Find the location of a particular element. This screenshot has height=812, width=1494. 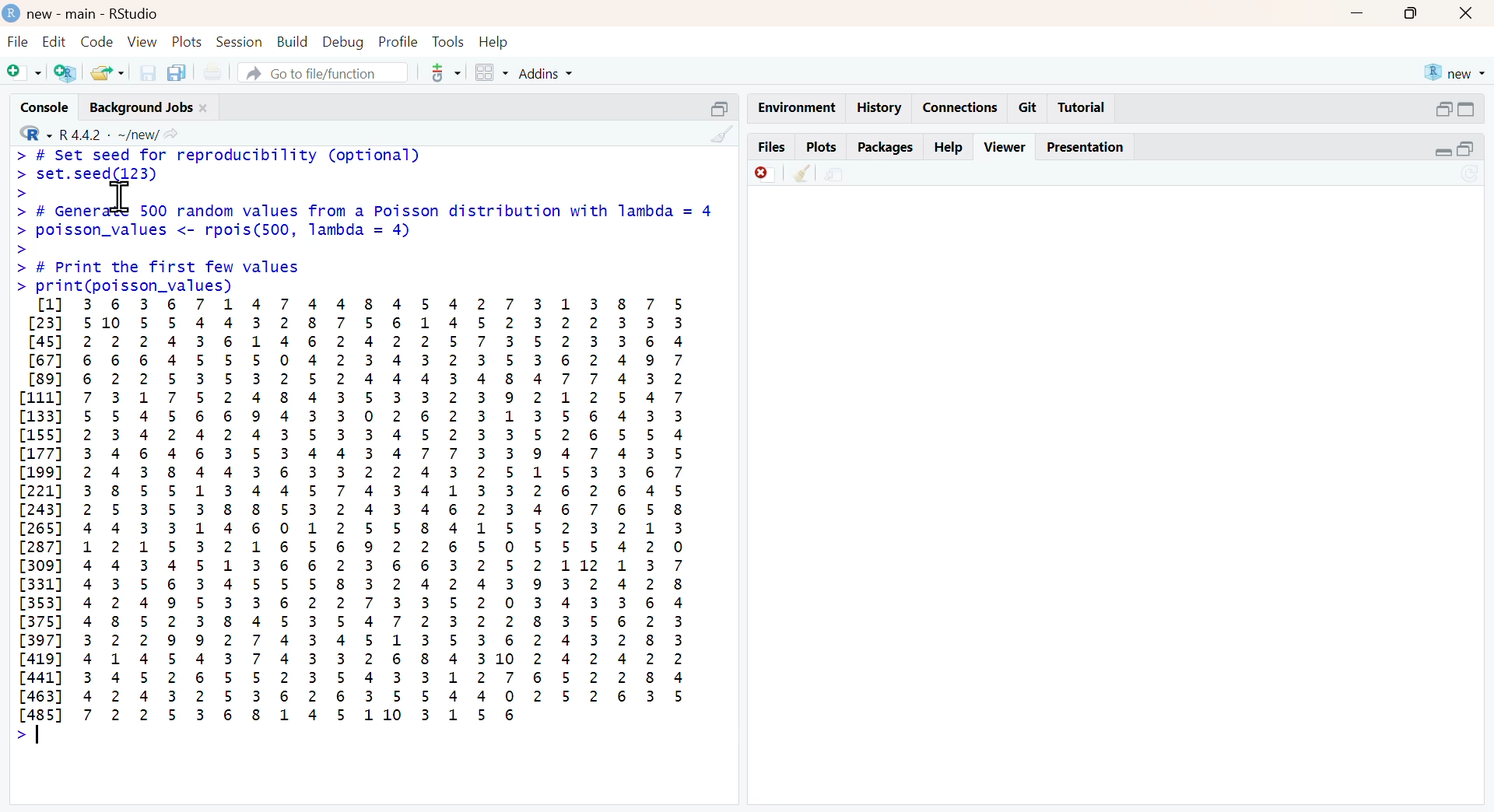

ptofile is located at coordinates (400, 42).